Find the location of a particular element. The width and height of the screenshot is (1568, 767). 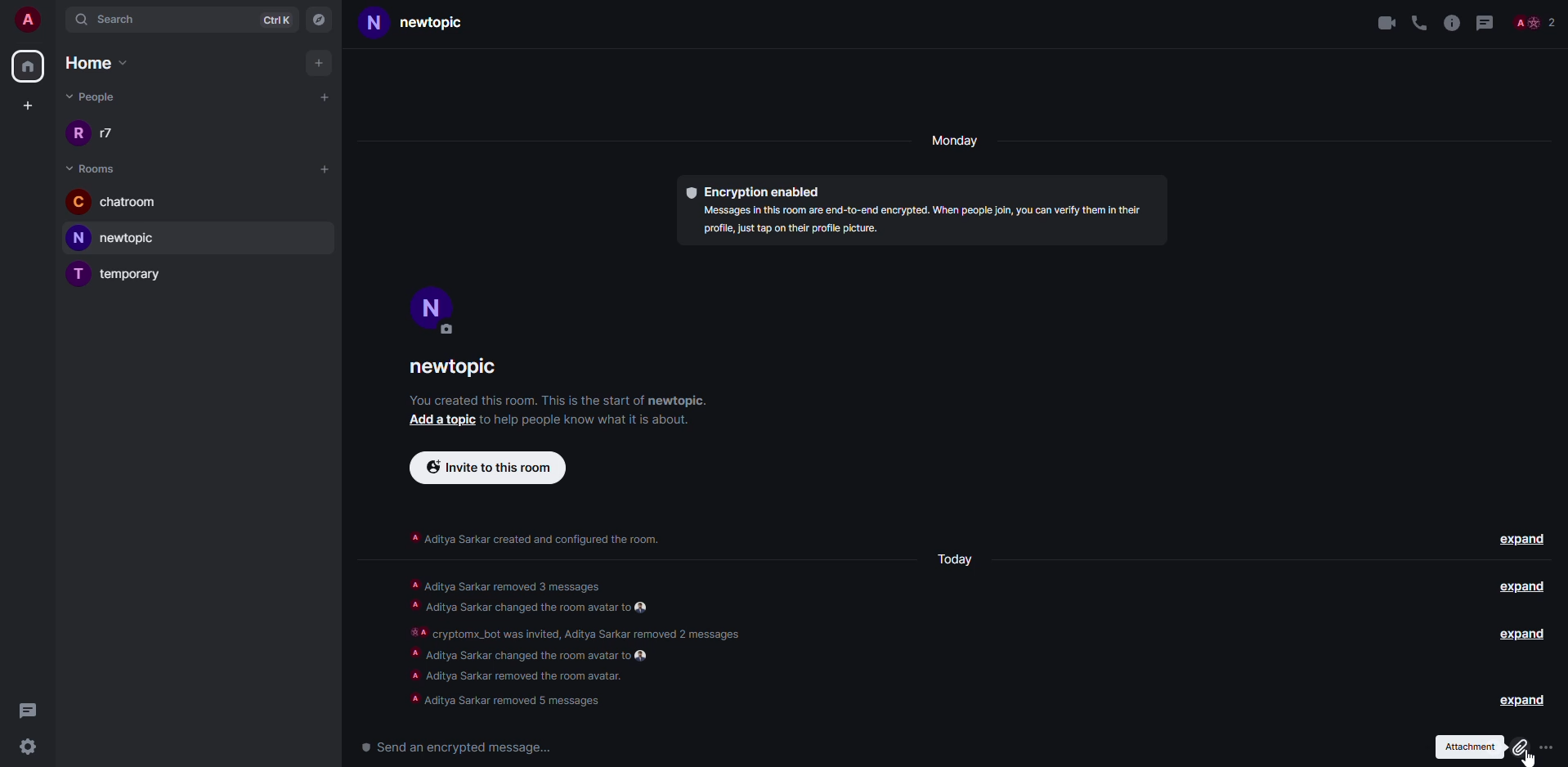

room is located at coordinates (460, 368).